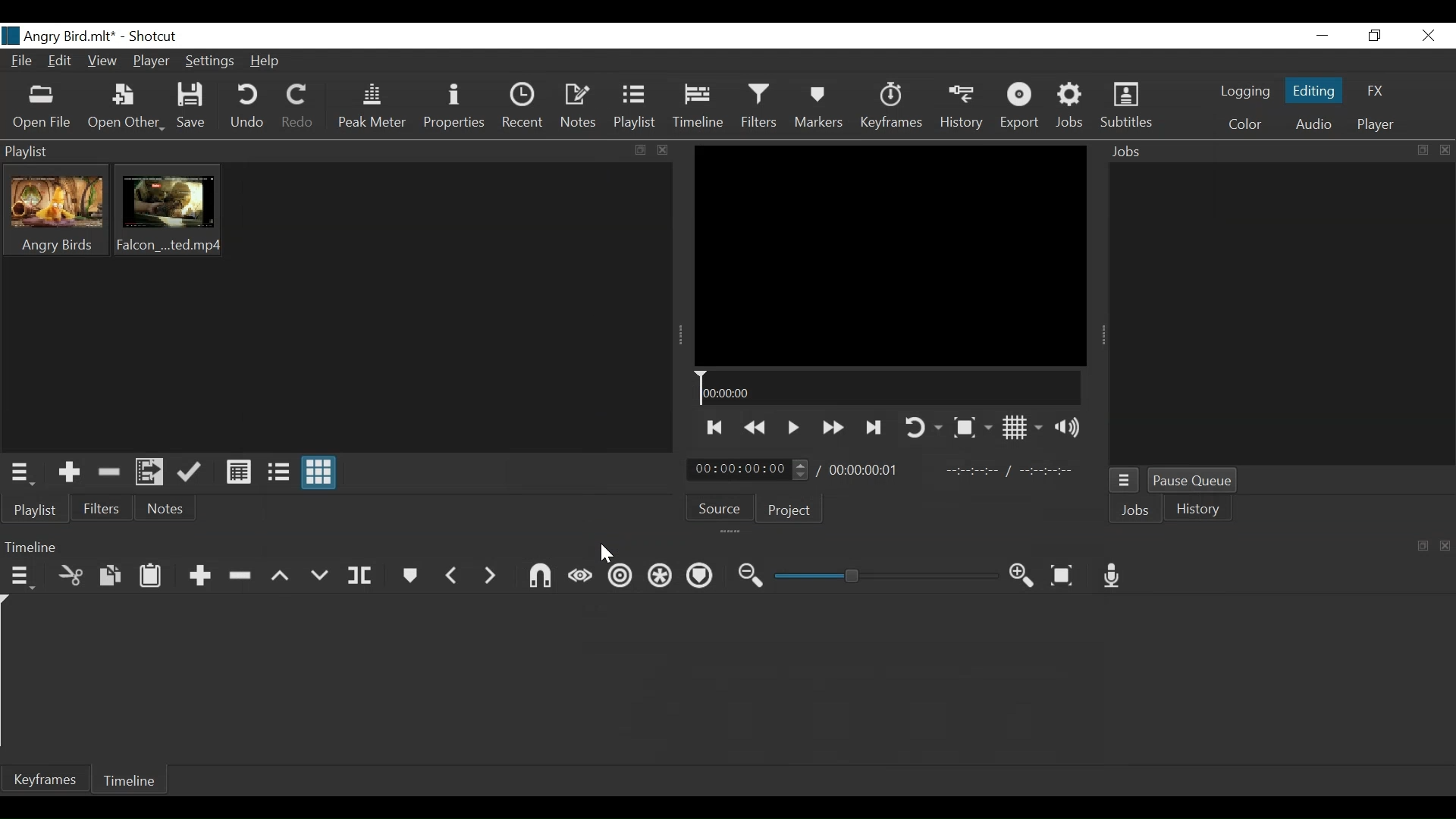 The height and width of the screenshot is (819, 1456). Describe the element at coordinates (320, 578) in the screenshot. I see `Overwrite` at that location.